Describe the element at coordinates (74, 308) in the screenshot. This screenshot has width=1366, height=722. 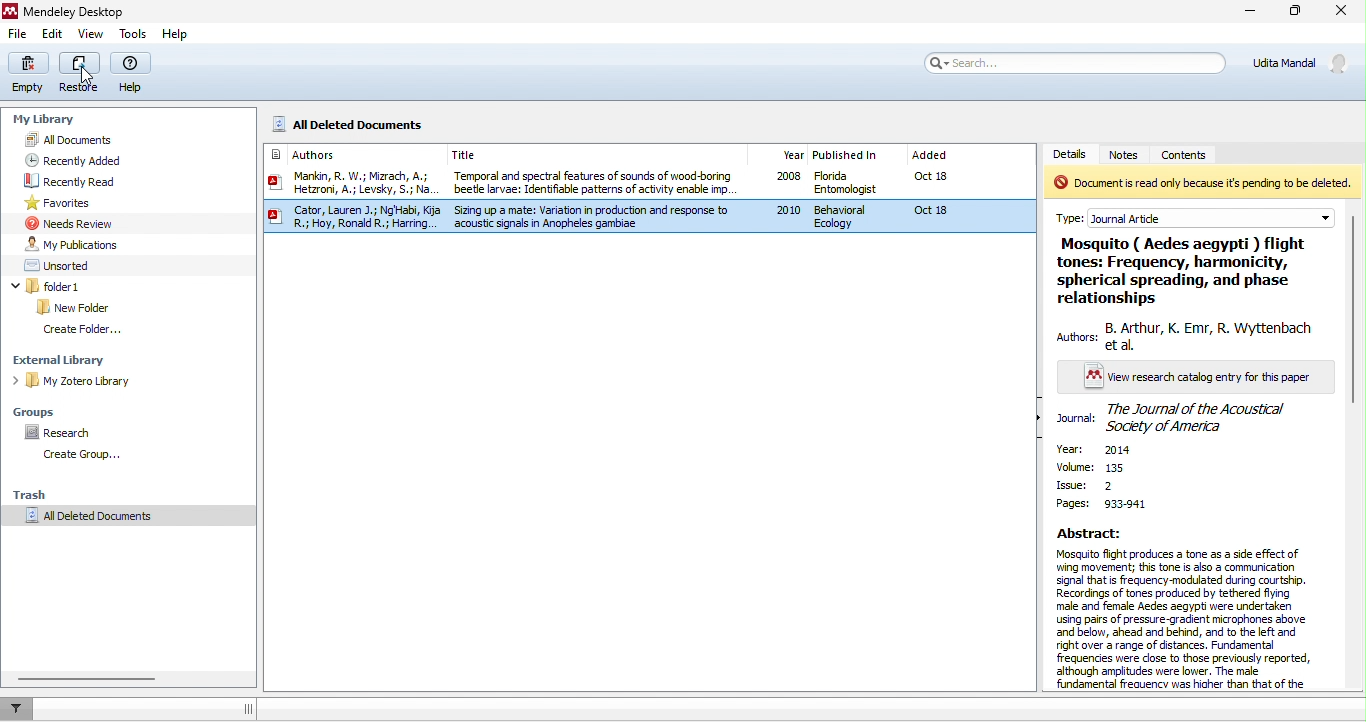
I see `new folder` at that location.